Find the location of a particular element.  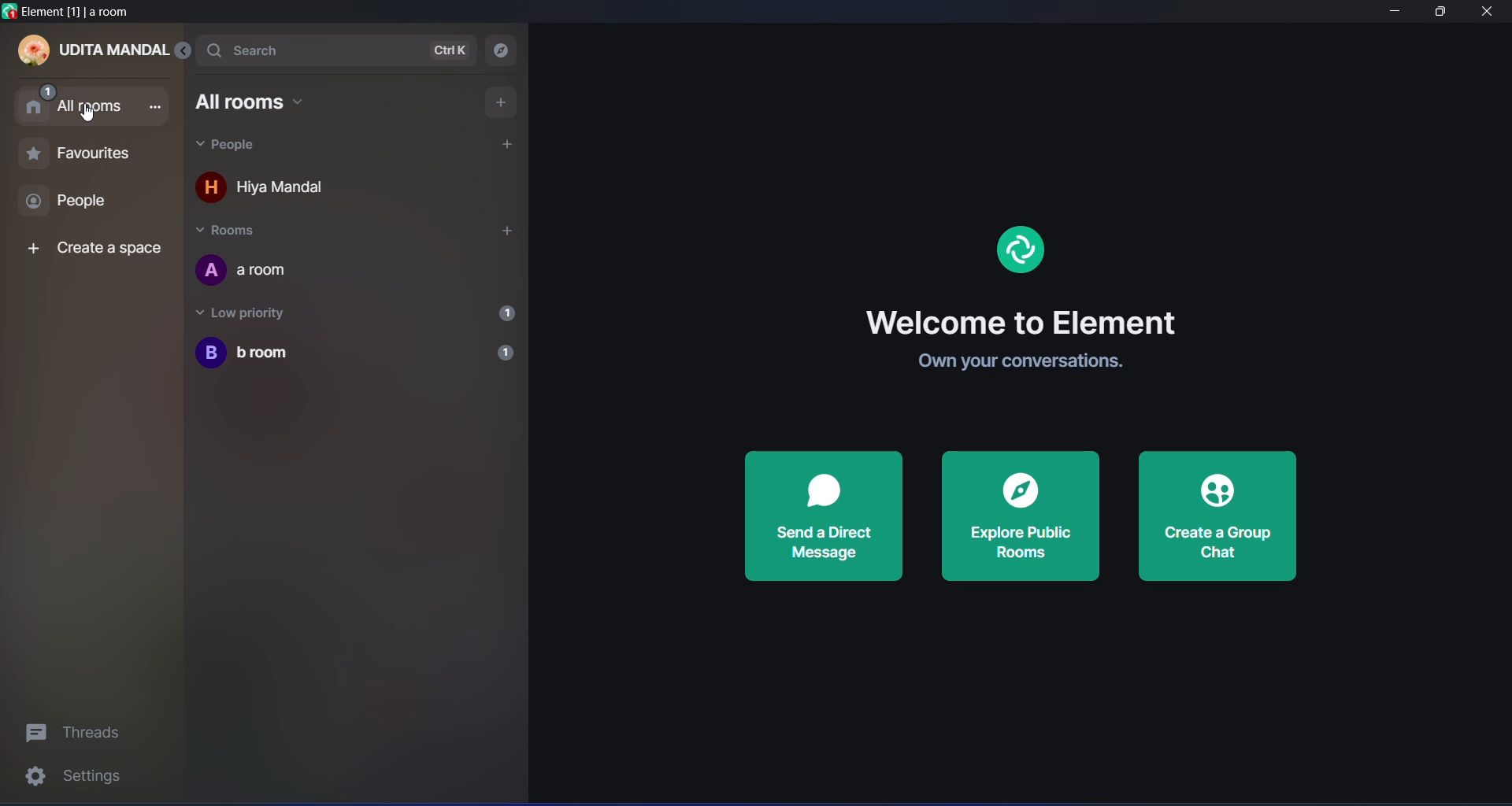

H Hiya Mandal is located at coordinates (276, 190).